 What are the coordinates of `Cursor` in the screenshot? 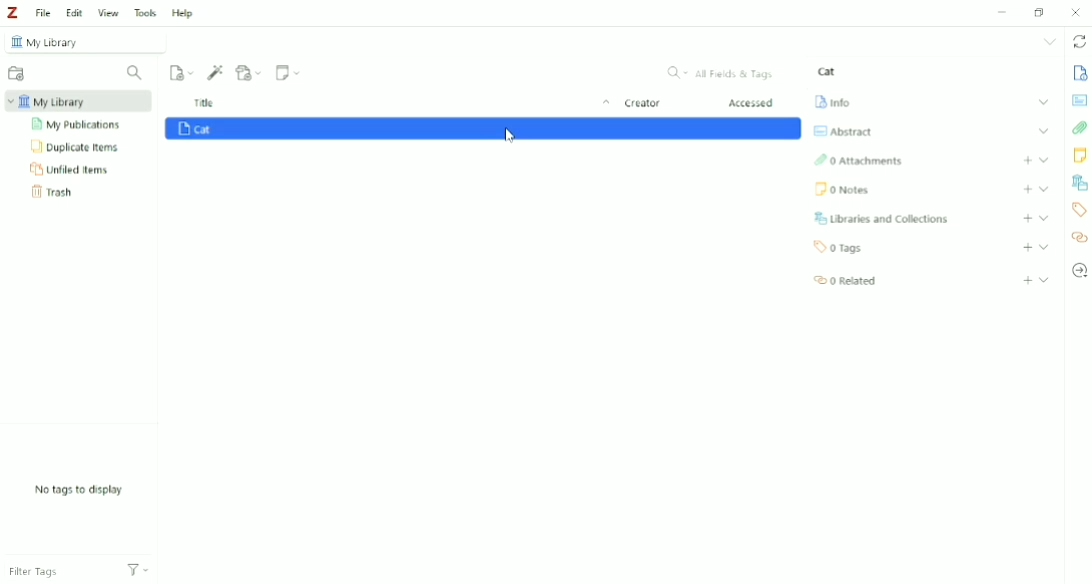 It's located at (511, 135).